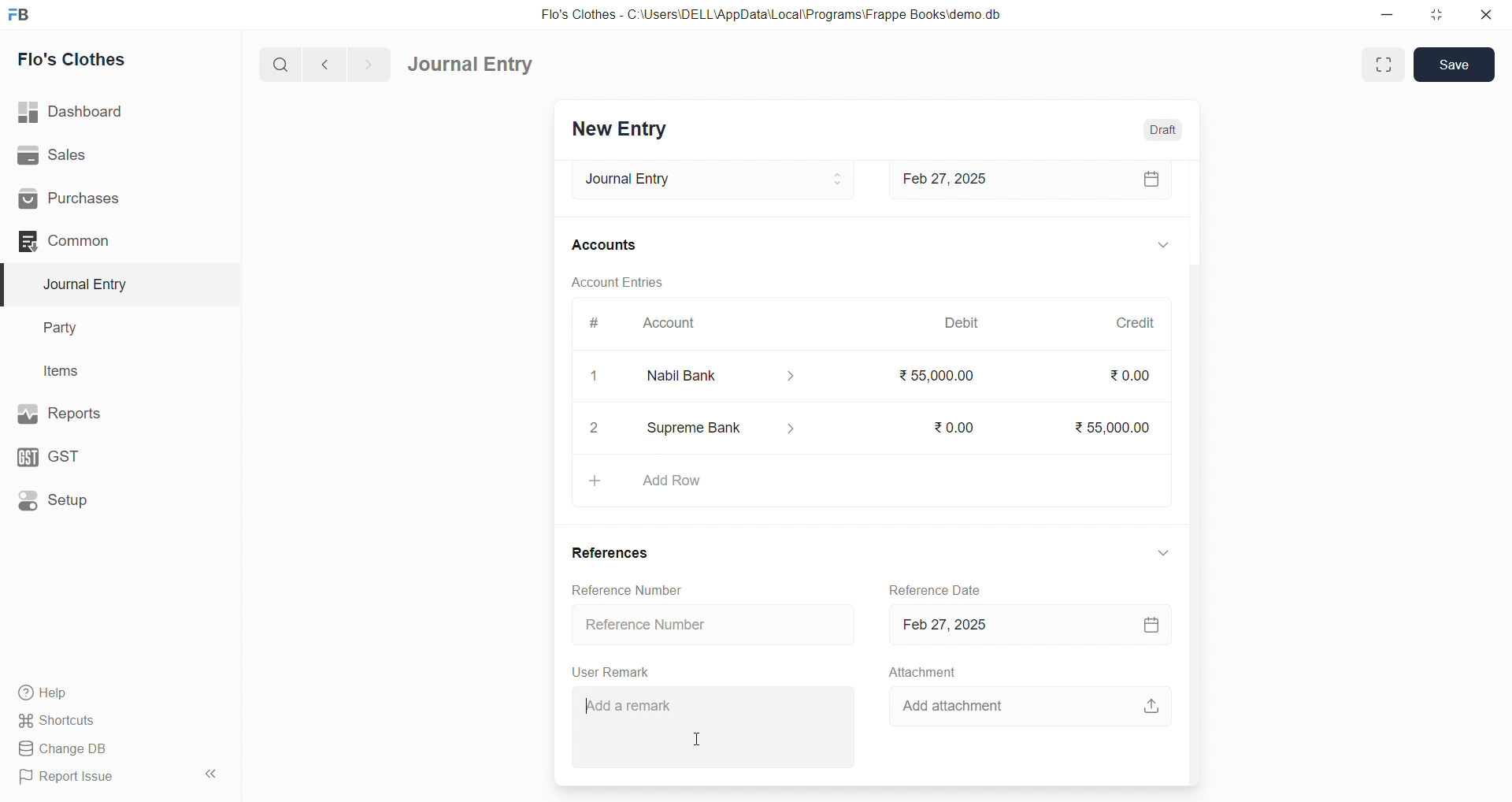 The width and height of the screenshot is (1512, 802). What do you see at coordinates (674, 326) in the screenshot?
I see `Account` at bounding box center [674, 326].